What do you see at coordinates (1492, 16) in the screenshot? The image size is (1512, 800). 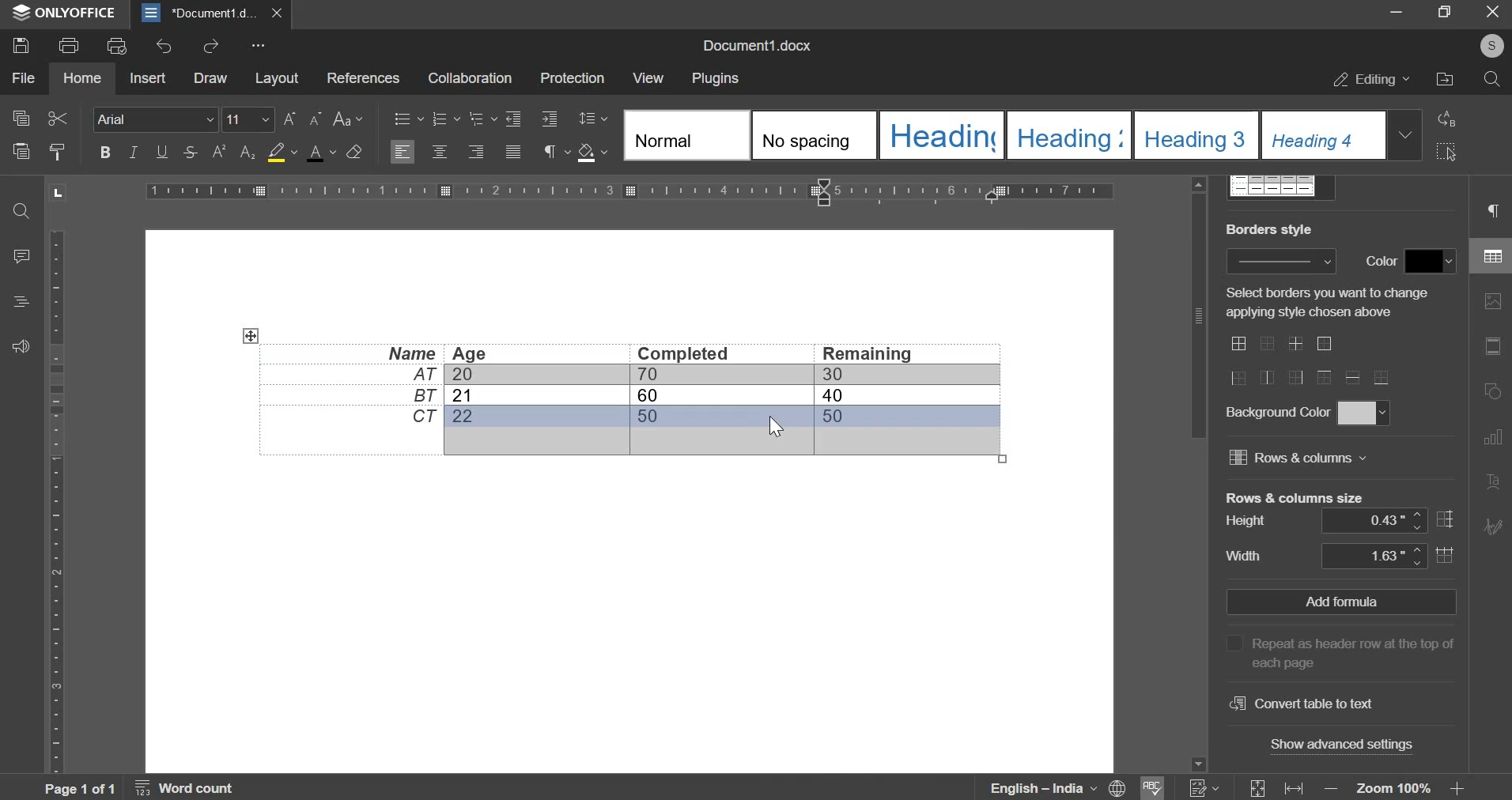 I see `exit` at bounding box center [1492, 16].